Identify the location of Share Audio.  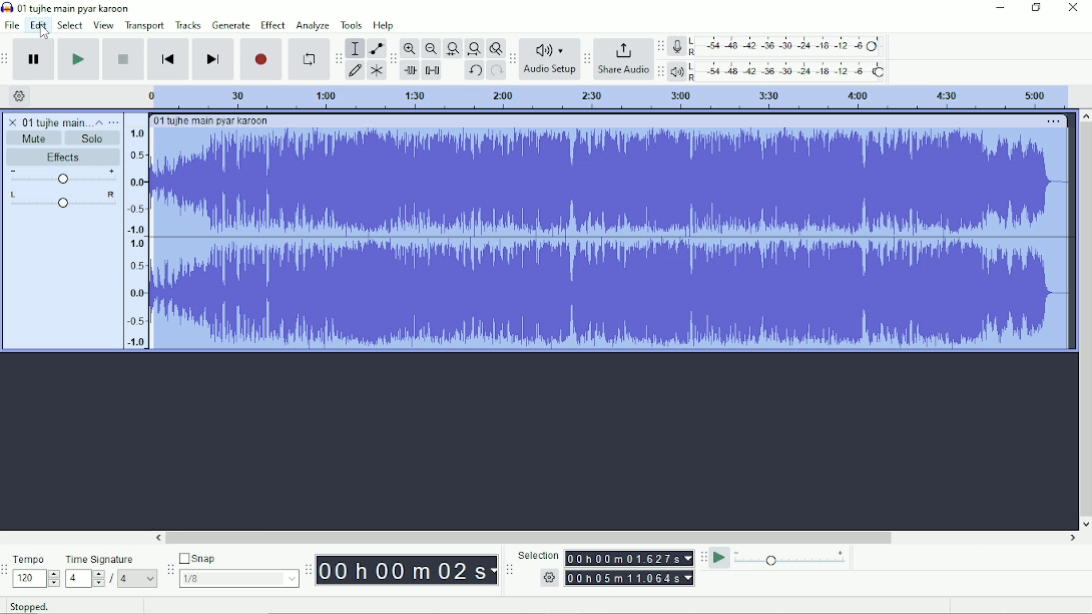
(623, 59).